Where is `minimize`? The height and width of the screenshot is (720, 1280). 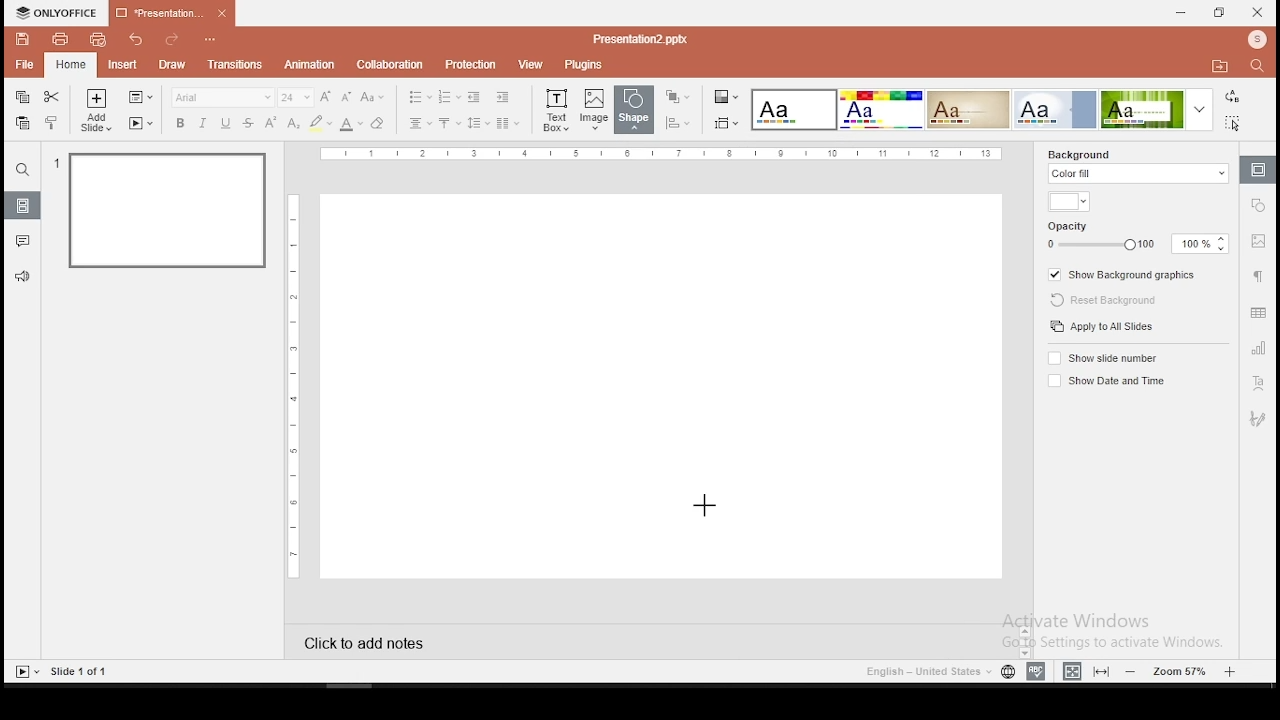 minimize is located at coordinates (1182, 14).